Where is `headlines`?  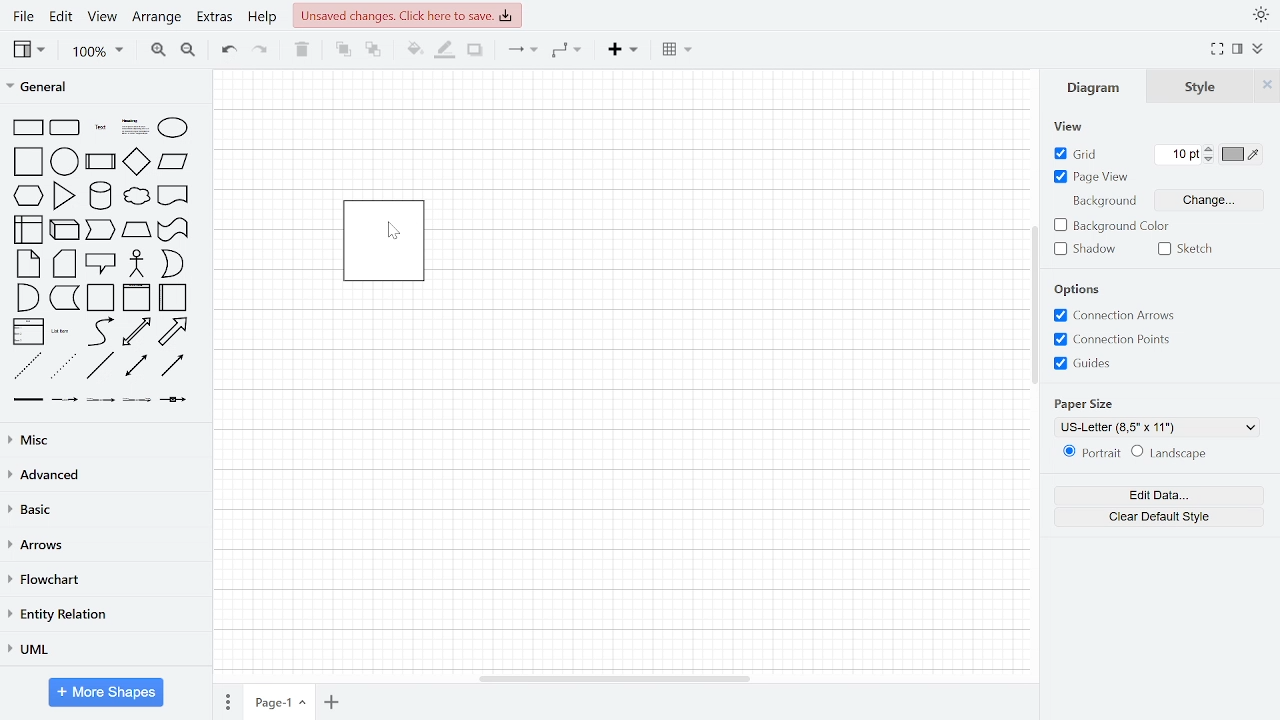 headlines is located at coordinates (135, 127).